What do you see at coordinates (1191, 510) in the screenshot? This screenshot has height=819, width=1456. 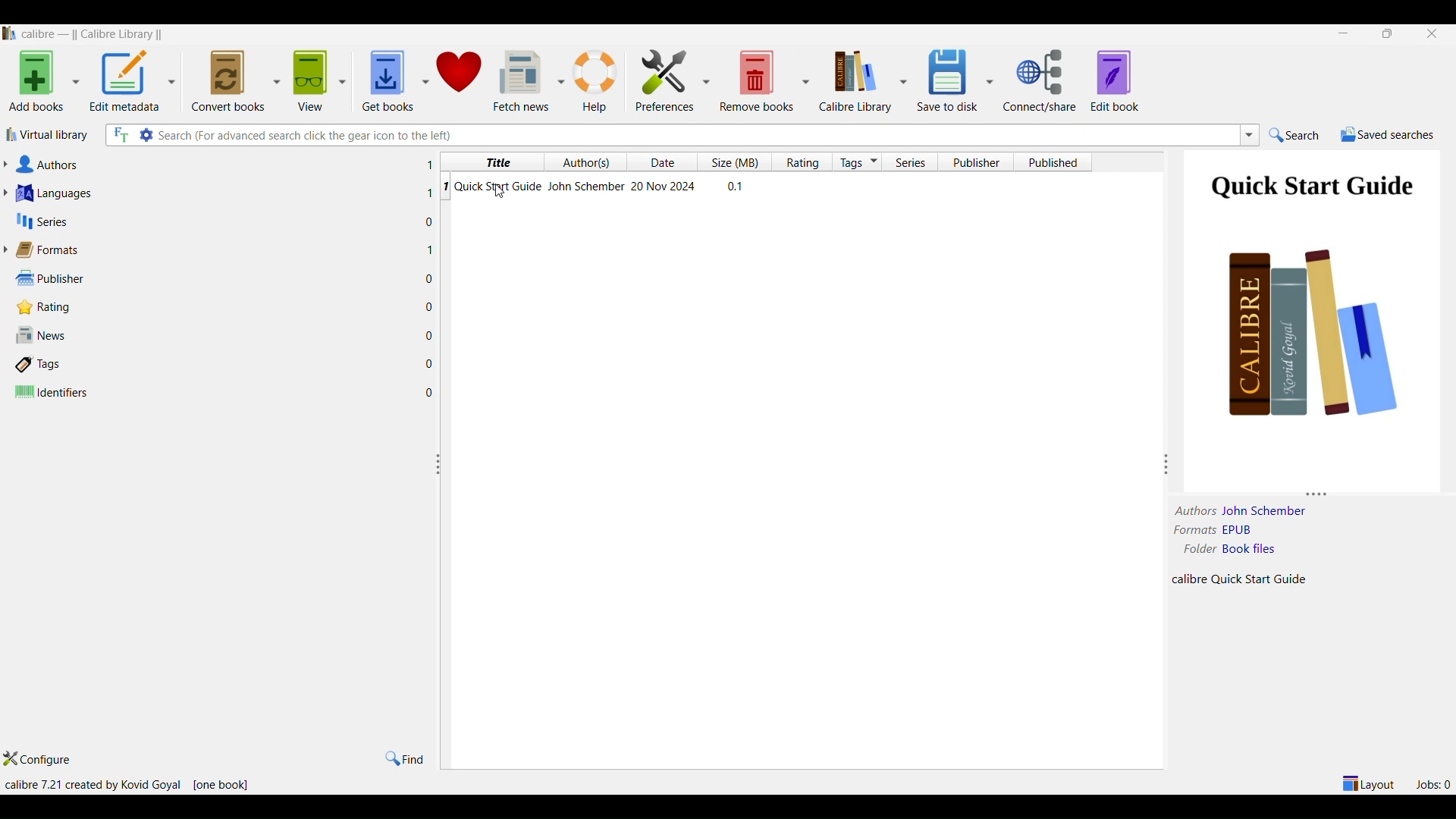 I see `authors` at bounding box center [1191, 510].